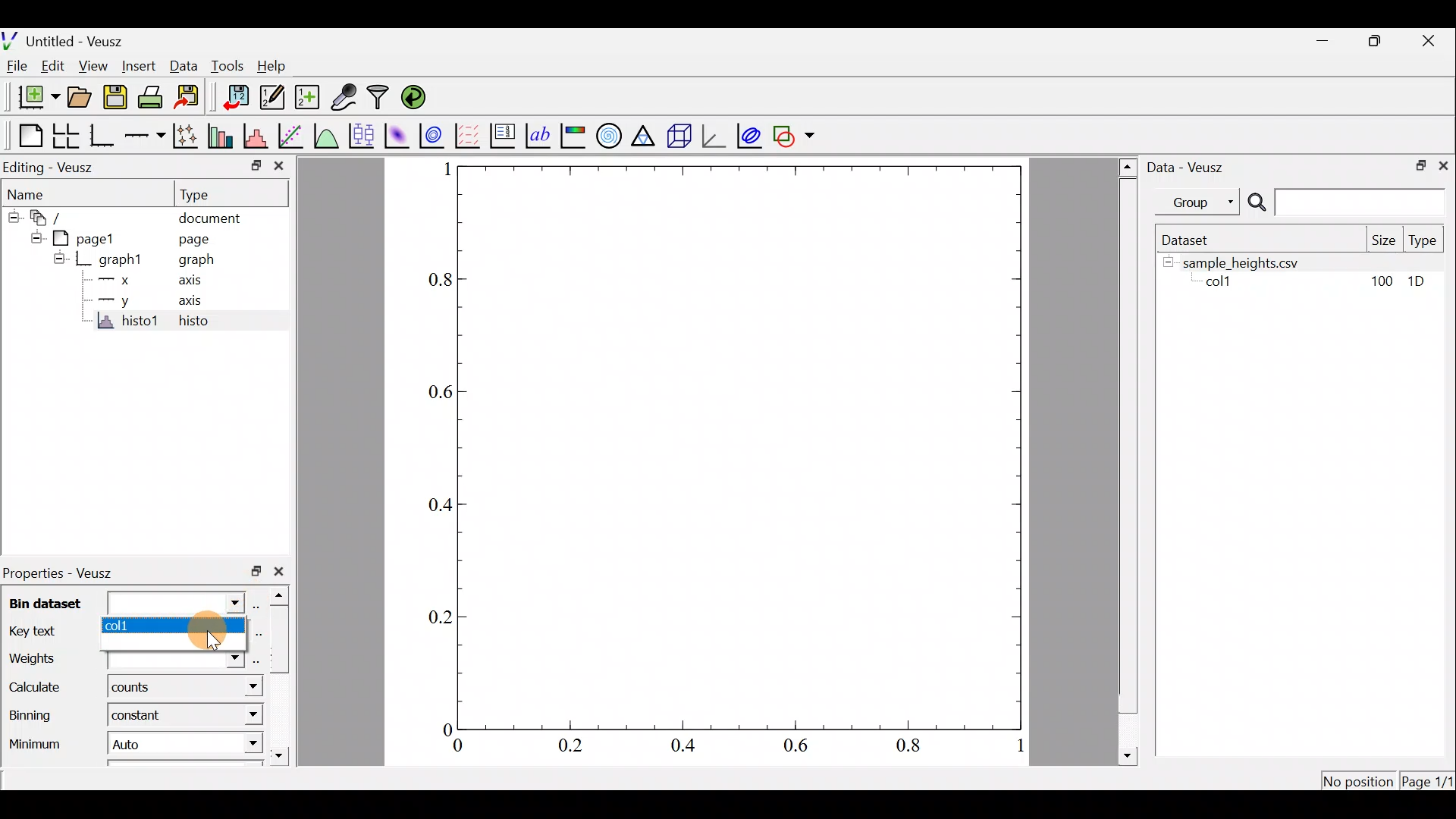 The height and width of the screenshot is (819, 1456). I want to click on close, so click(1446, 165).